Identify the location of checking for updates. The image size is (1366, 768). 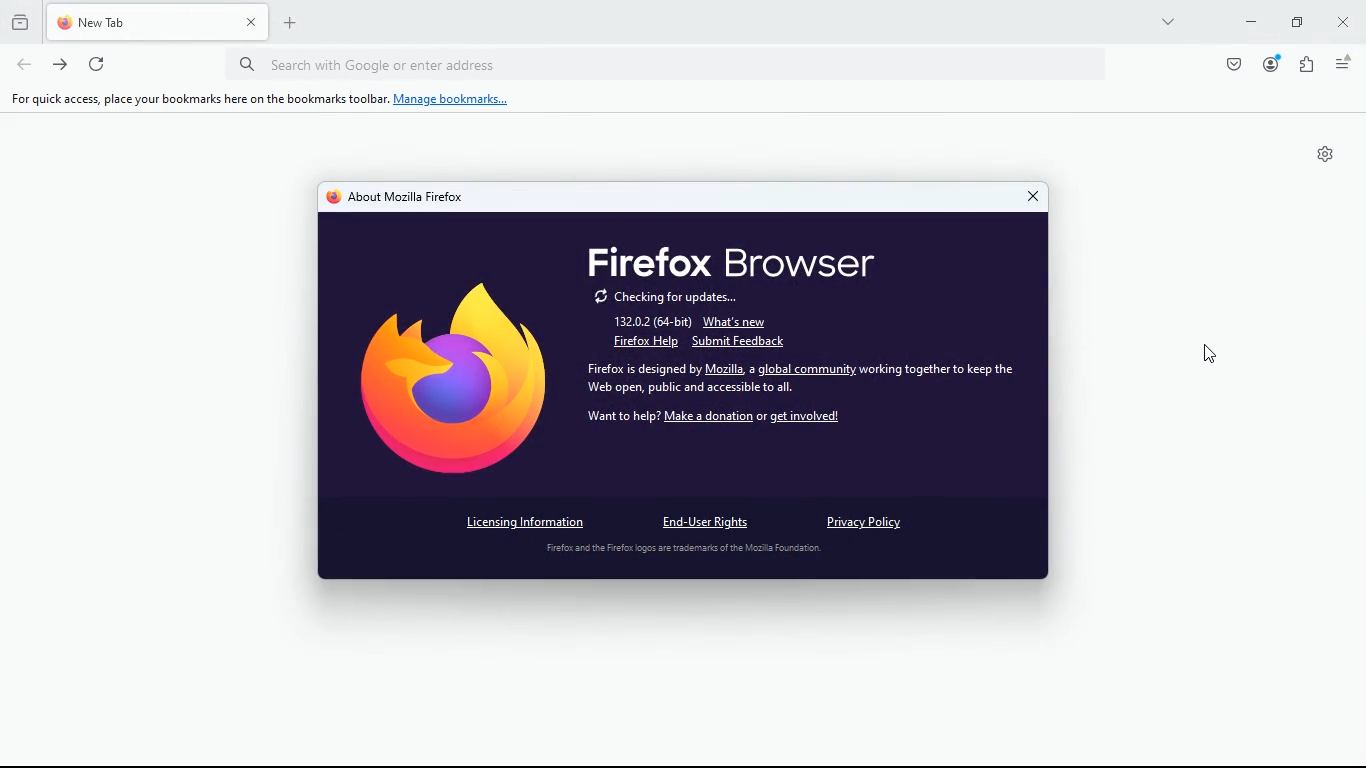
(665, 296).